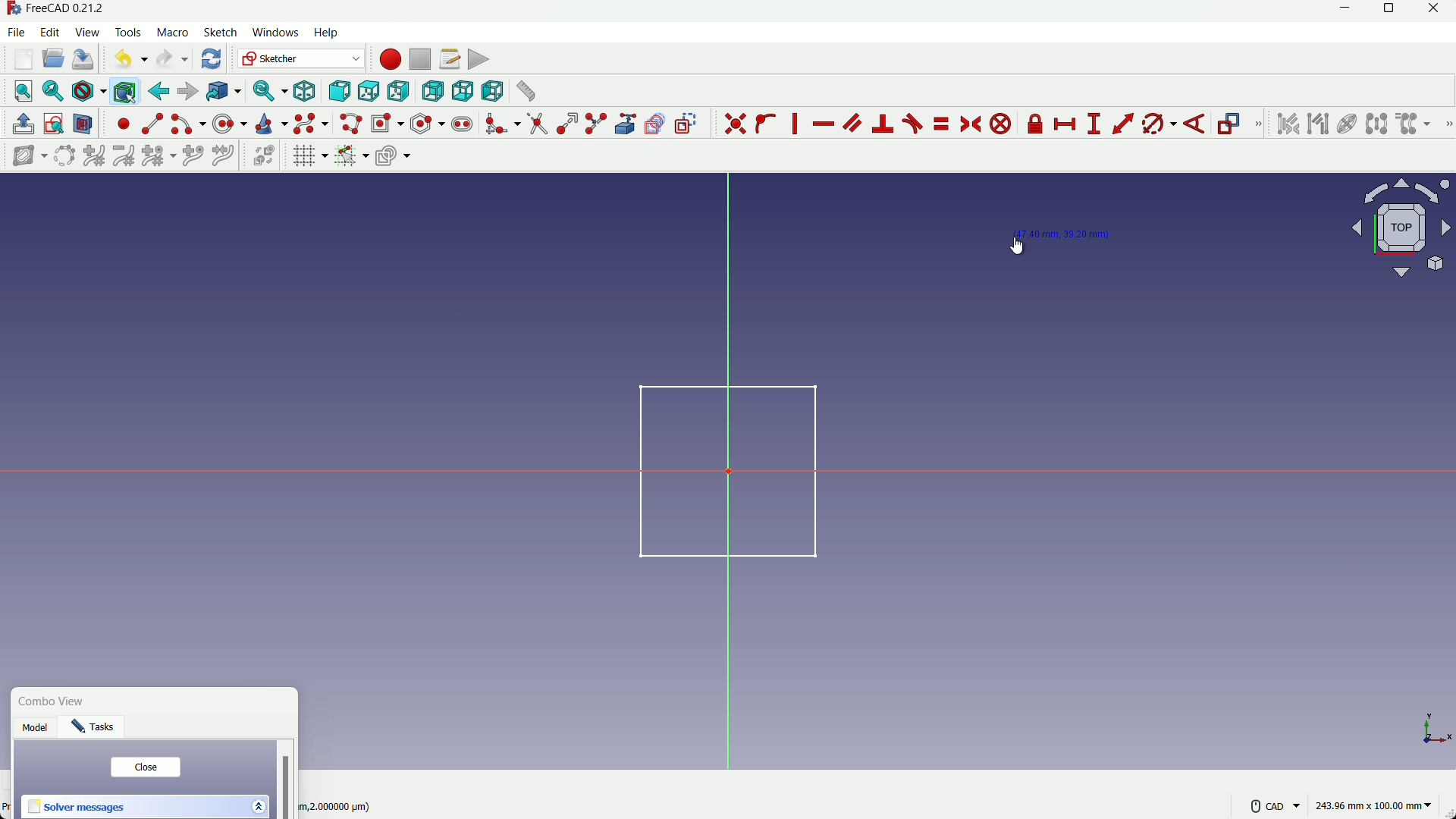 The width and height of the screenshot is (1456, 819). What do you see at coordinates (479, 59) in the screenshot?
I see `execute macros` at bounding box center [479, 59].